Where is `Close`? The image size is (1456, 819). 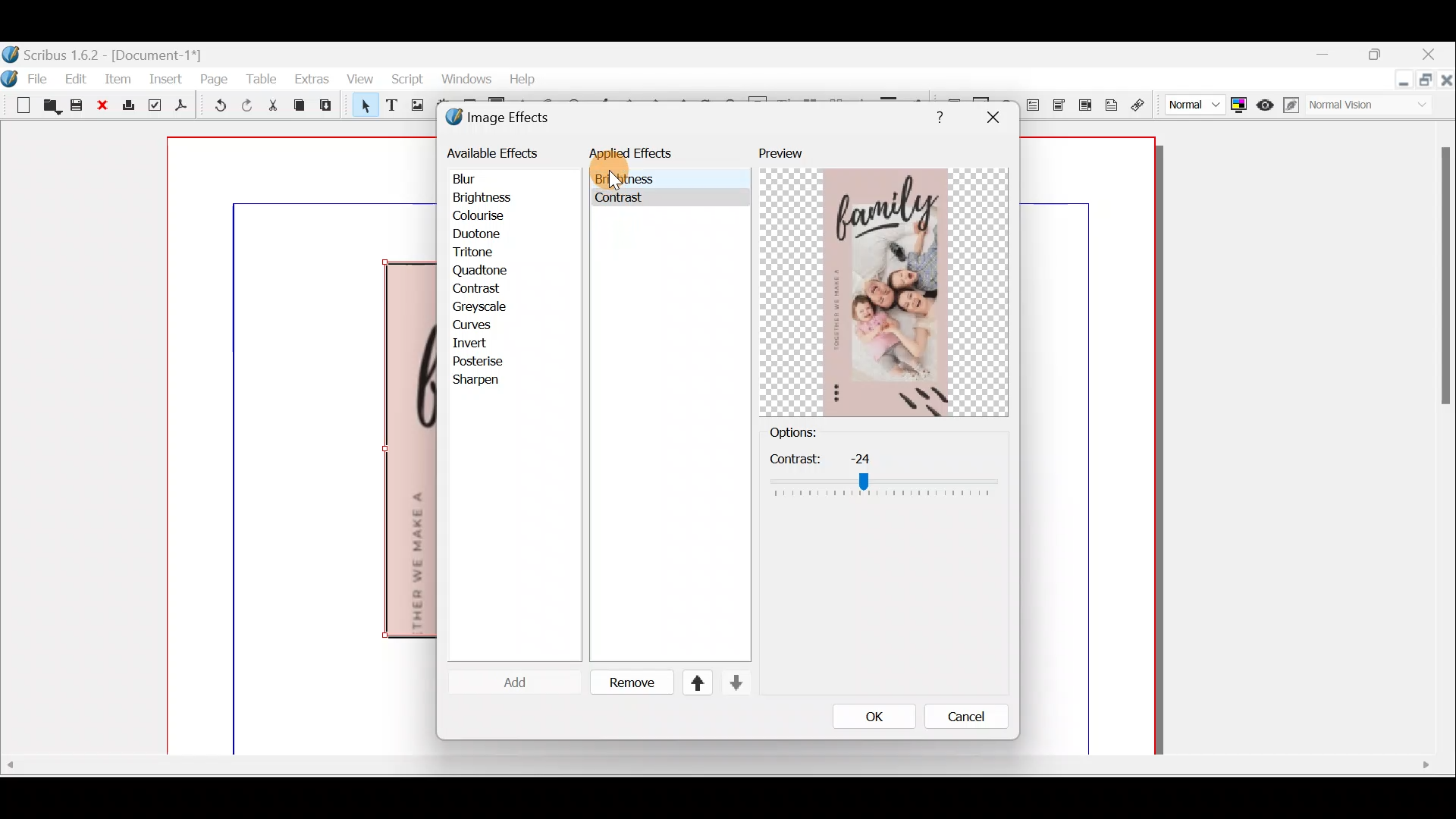 Close is located at coordinates (1430, 56).